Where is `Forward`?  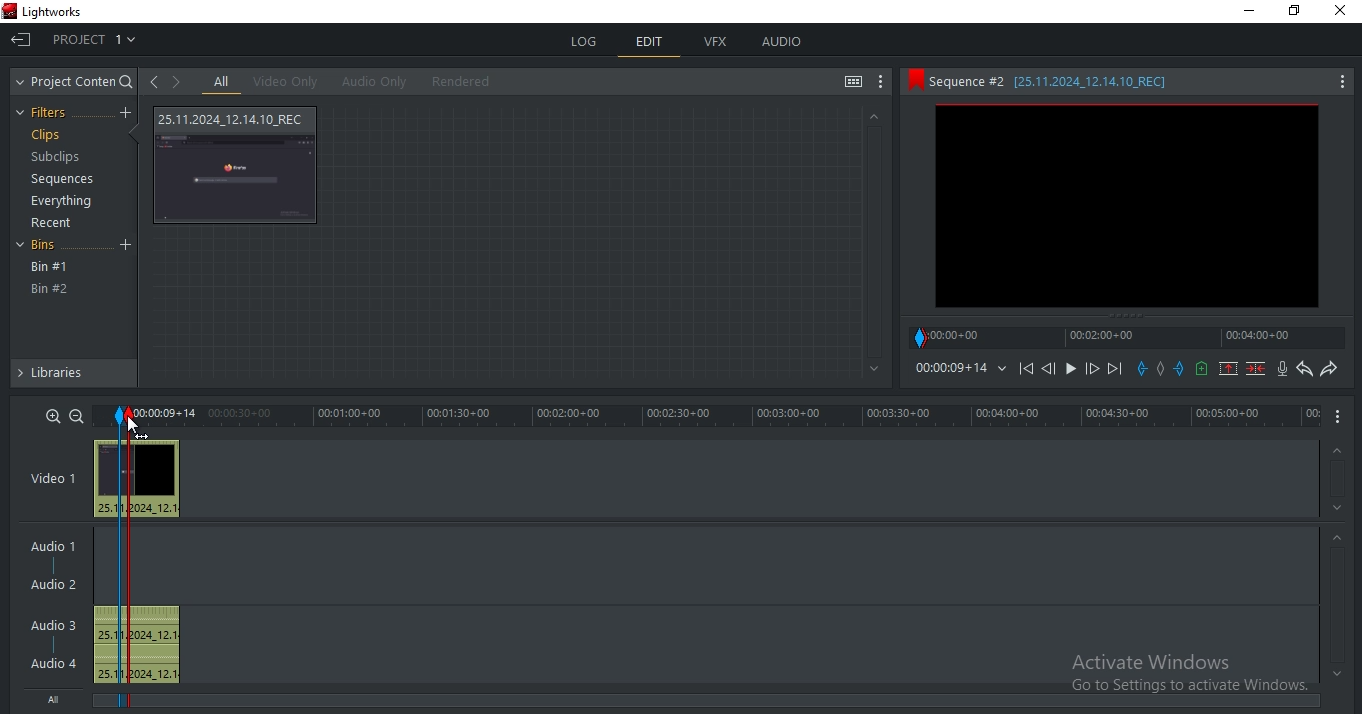 Forward is located at coordinates (1093, 369).